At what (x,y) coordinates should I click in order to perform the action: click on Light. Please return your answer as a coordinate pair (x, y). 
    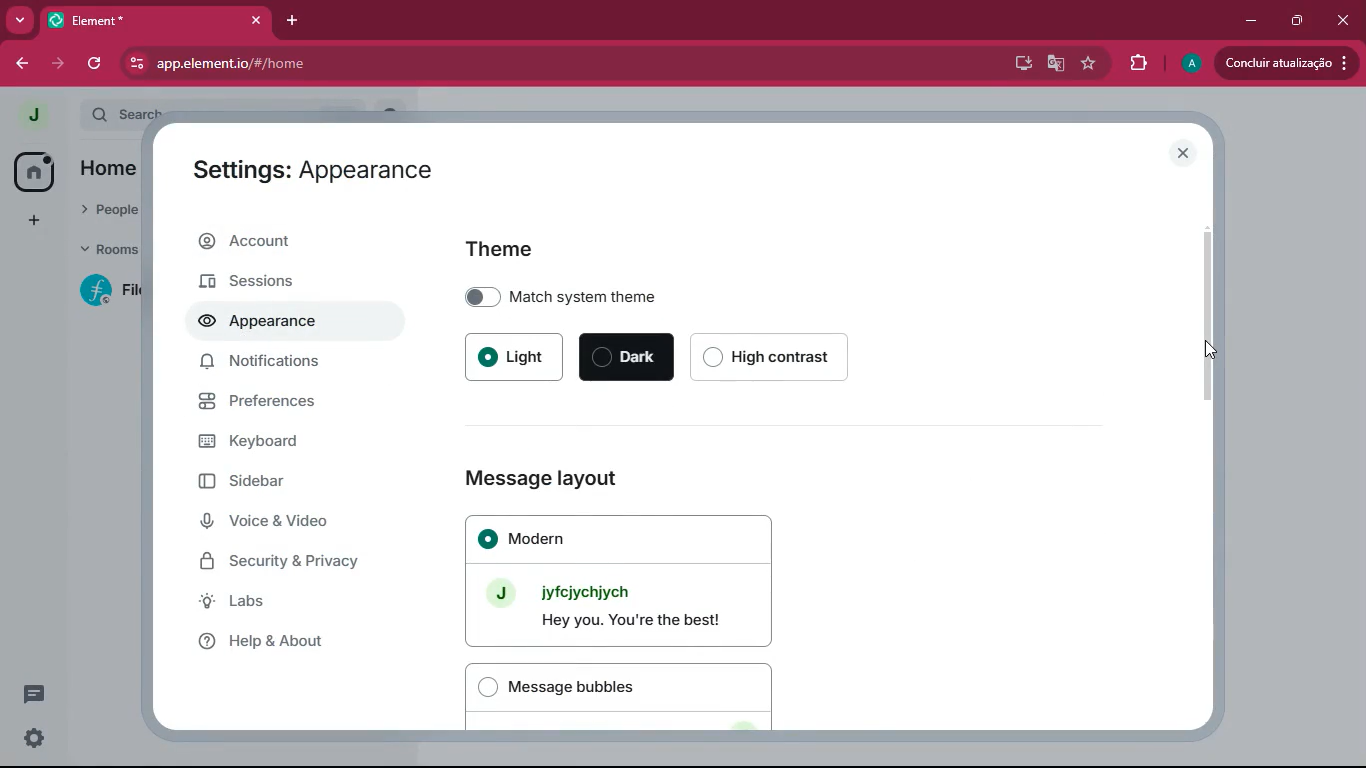
    Looking at the image, I should click on (510, 358).